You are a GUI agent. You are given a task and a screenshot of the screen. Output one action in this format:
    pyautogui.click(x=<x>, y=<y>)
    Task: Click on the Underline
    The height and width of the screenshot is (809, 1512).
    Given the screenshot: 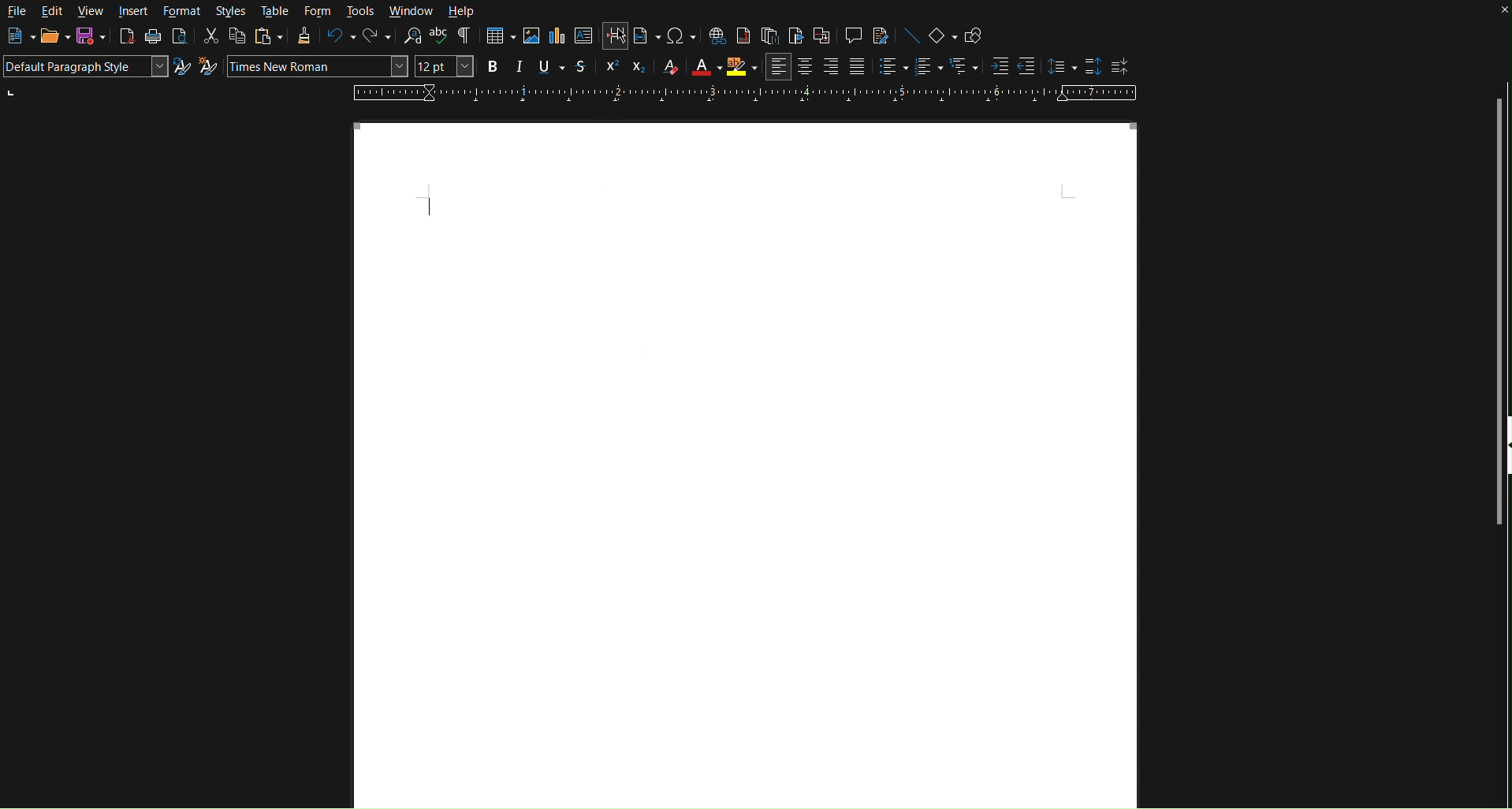 What is the action you would take?
    pyautogui.click(x=548, y=68)
    